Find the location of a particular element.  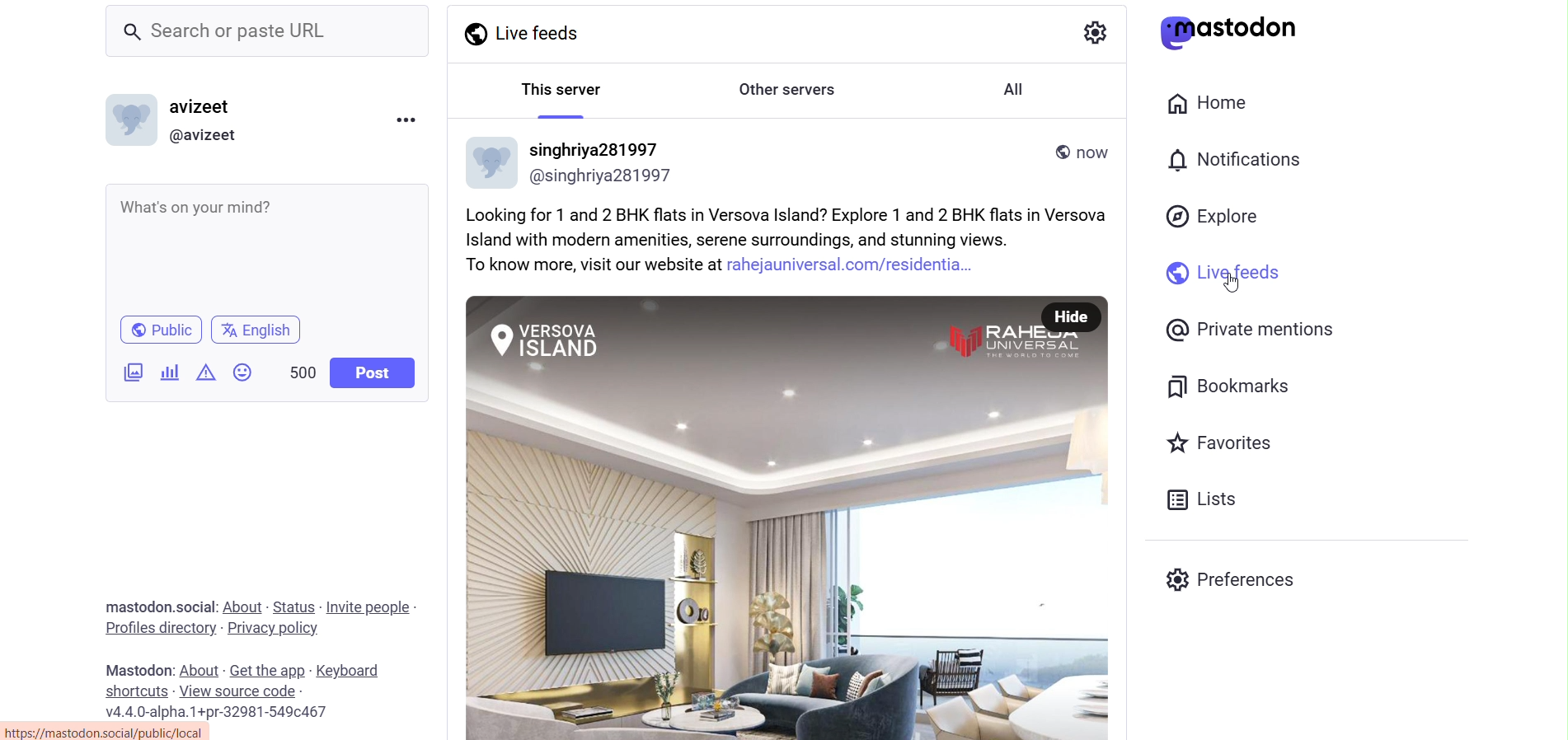

link is located at coordinates (113, 731).